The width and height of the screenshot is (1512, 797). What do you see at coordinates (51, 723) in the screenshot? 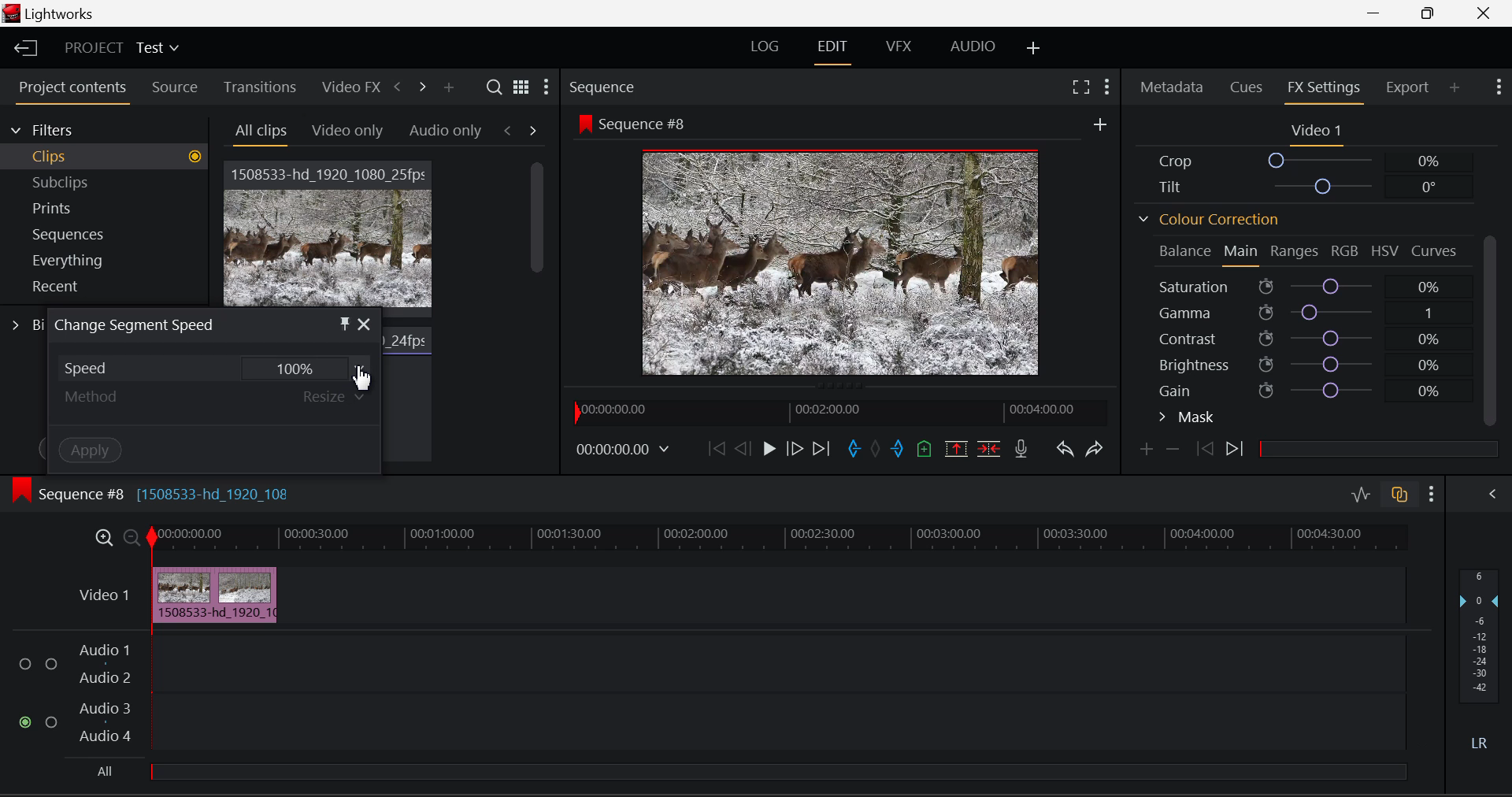
I see `Audio Input Checkbox` at bounding box center [51, 723].